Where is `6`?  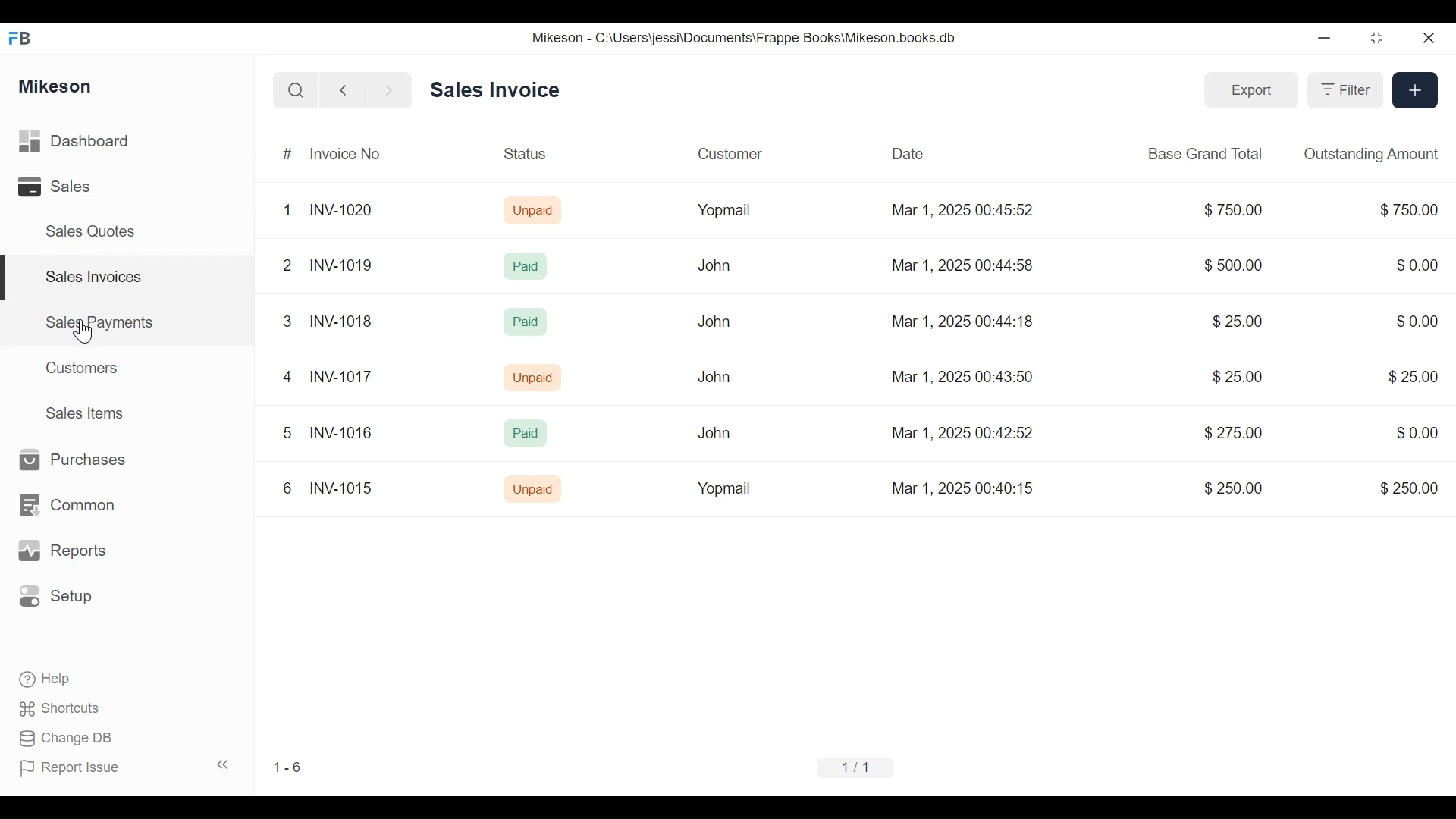
6 is located at coordinates (286, 489).